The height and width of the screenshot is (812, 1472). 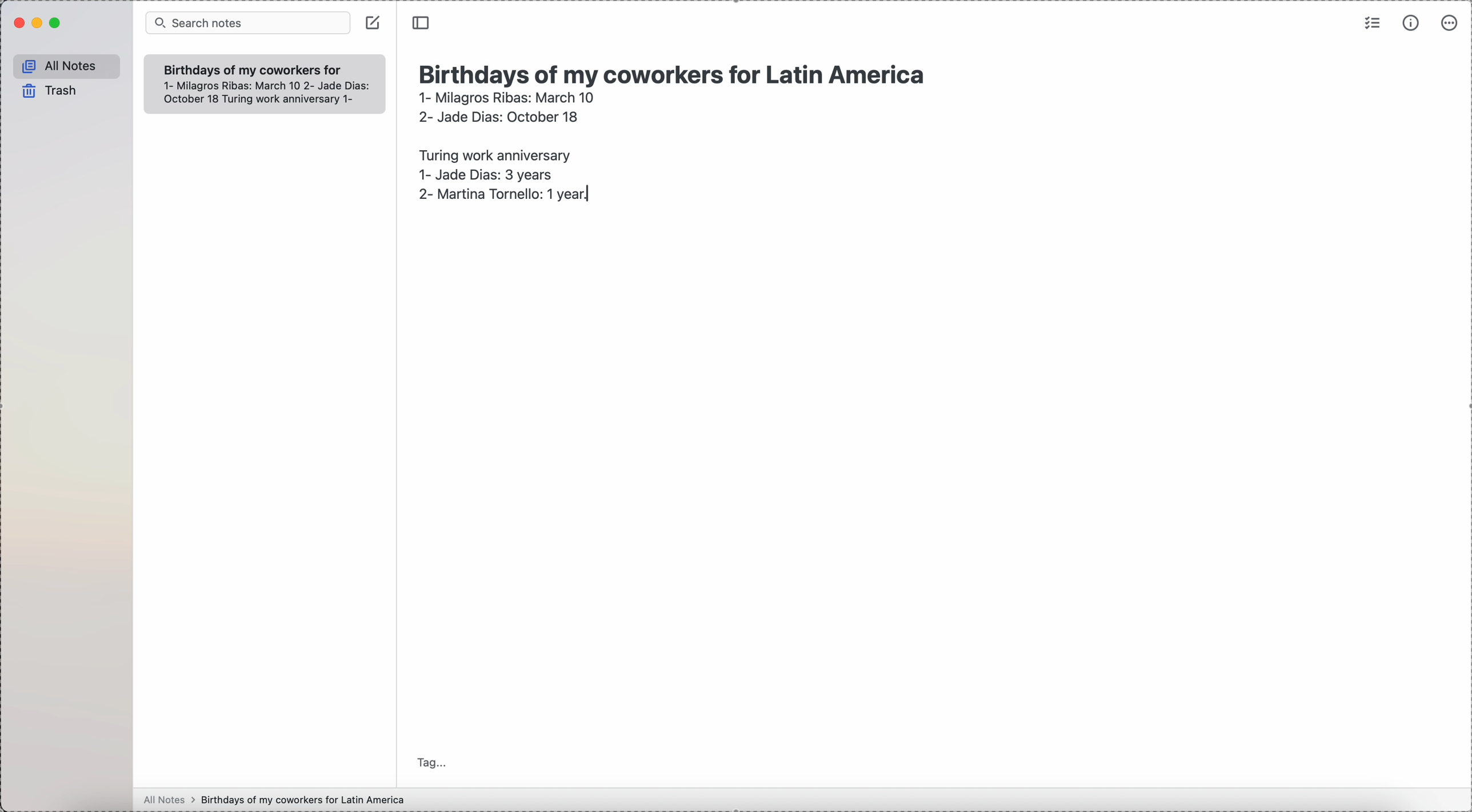 What do you see at coordinates (506, 195) in the screenshot?
I see `2- Martina Tornello: 1 year.` at bounding box center [506, 195].